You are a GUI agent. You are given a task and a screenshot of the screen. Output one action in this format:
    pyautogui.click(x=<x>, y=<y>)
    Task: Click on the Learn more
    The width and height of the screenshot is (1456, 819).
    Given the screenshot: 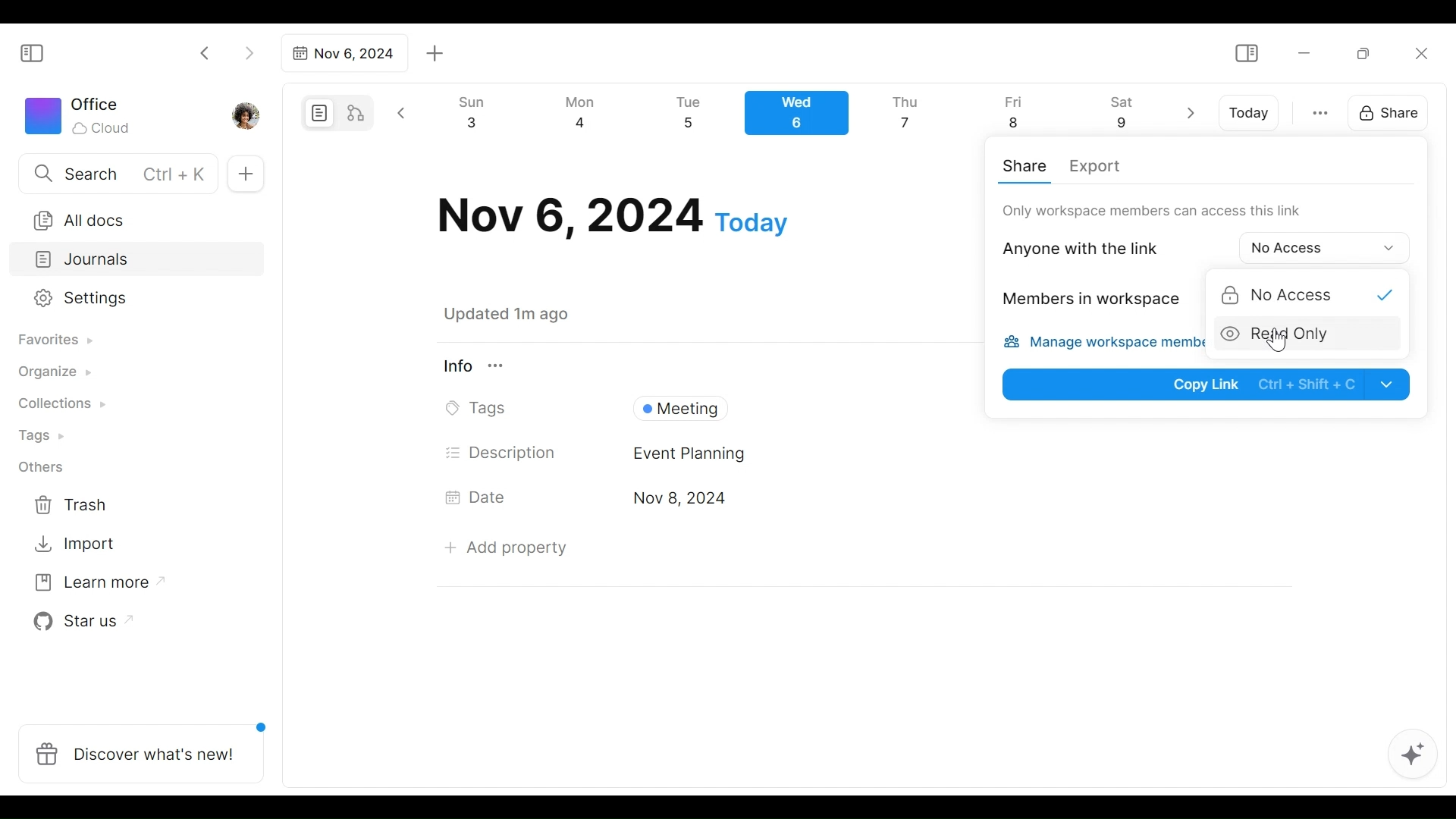 What is the action you would take?
    pyautogui.click(x=92, y=585)
    